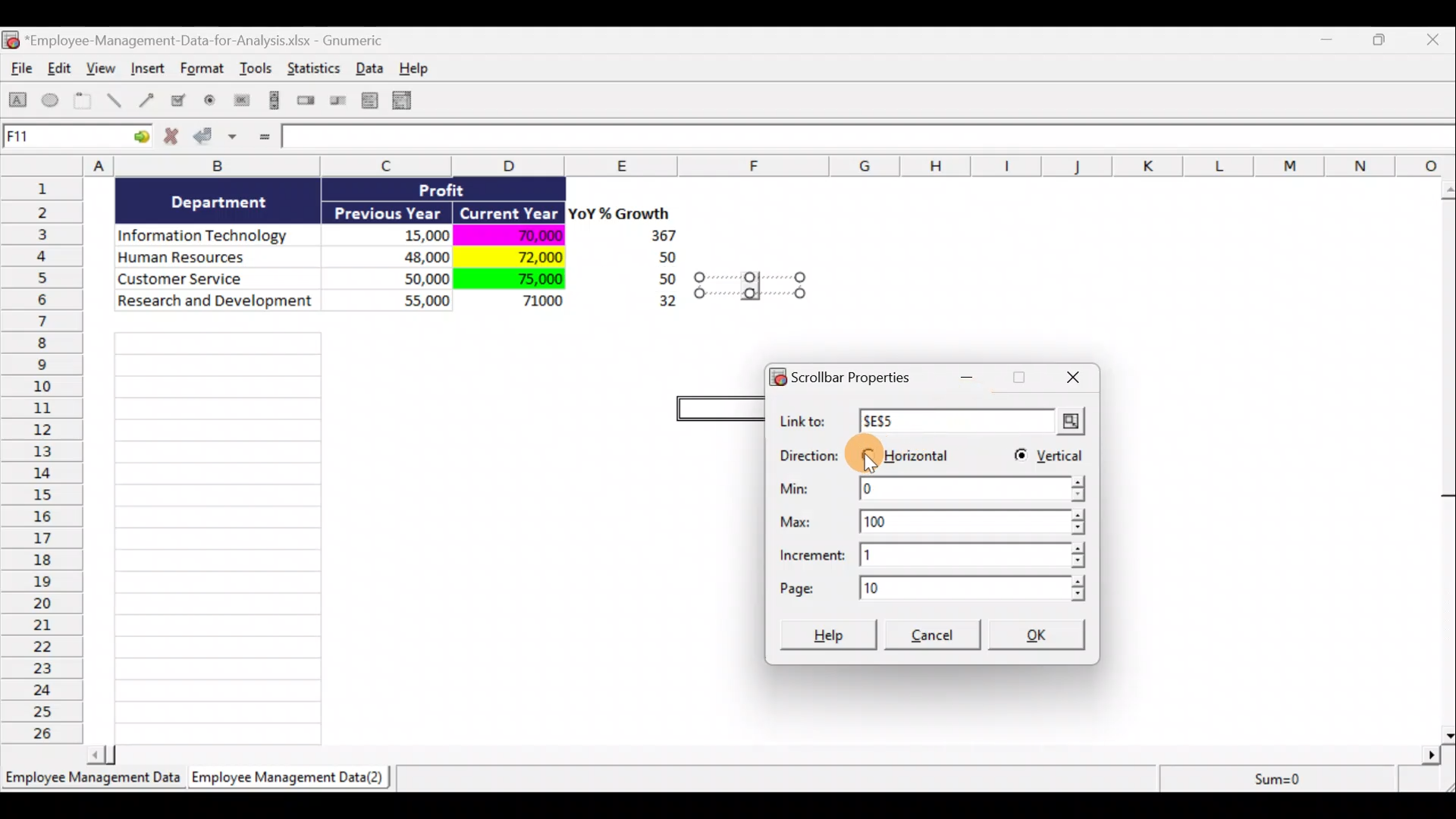 The height and width of the screenshot is (819, 1456). Describe the element at coordinates (930, 588) in the screenshot. I see `Page` at that location.